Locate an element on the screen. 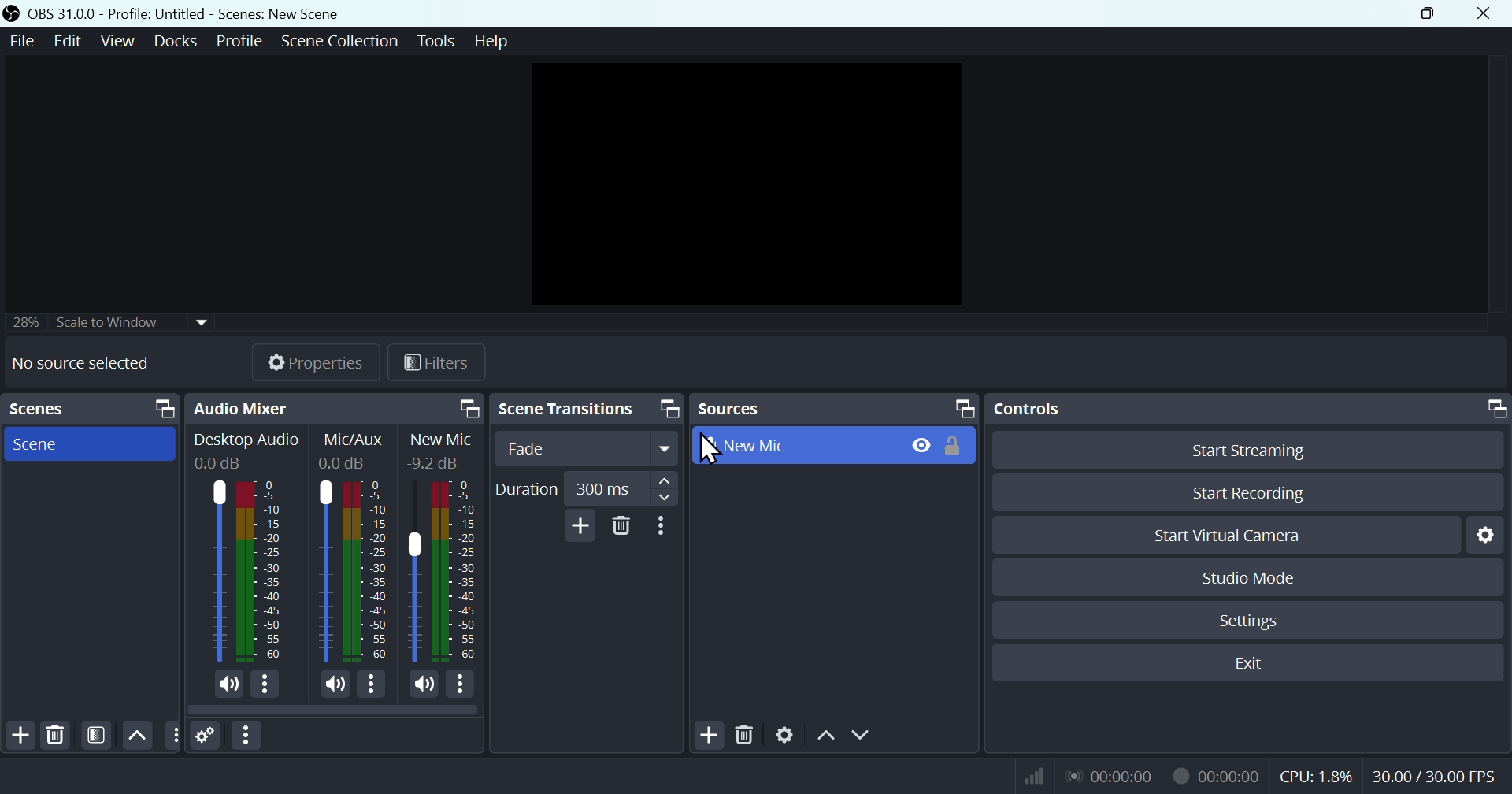 Image resolution: width=1512 pixels, height=794 pixels. Desktop Audio is located at coordinates (217, 570).